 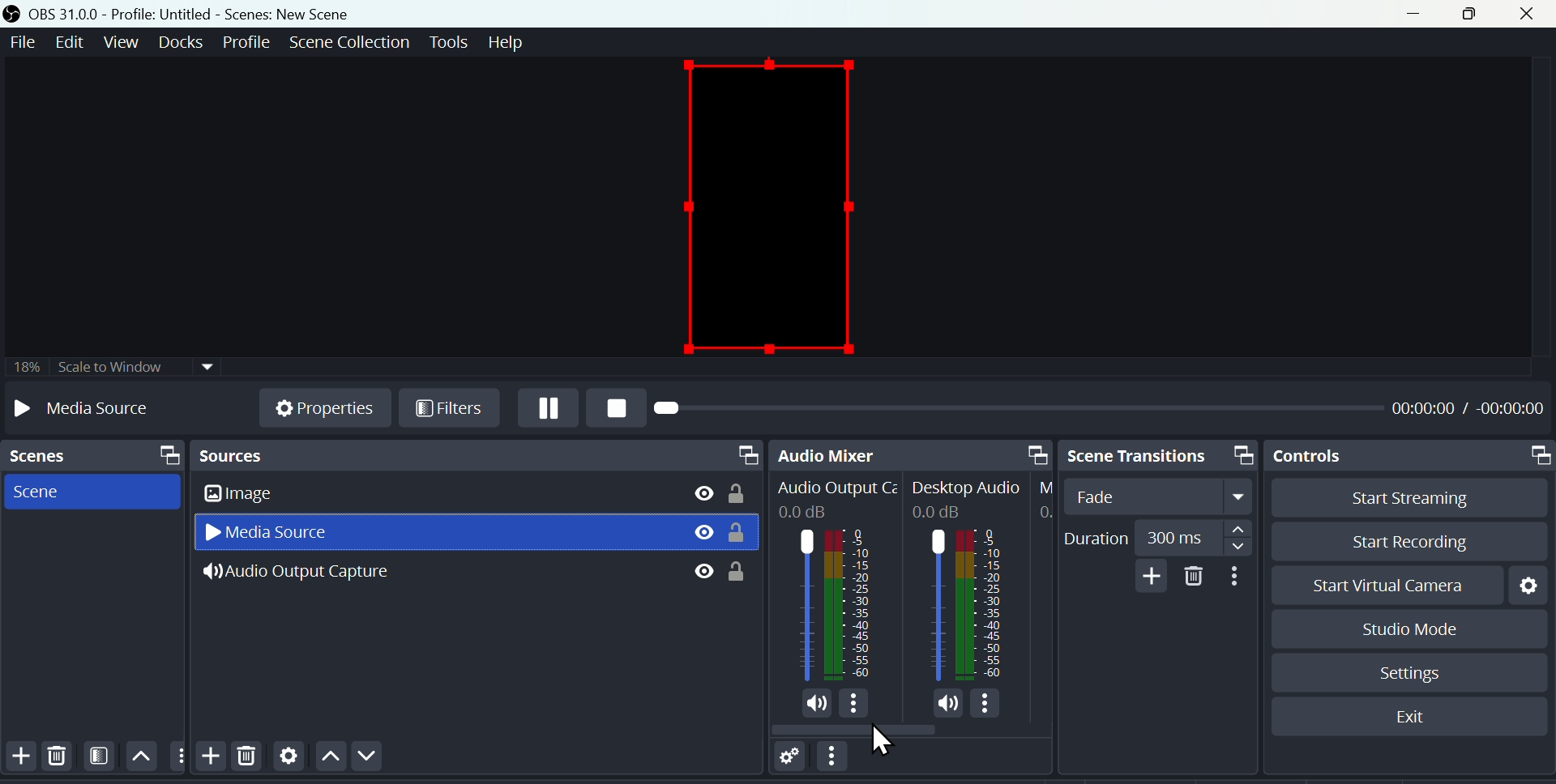 I want to click on Scenes, so click(x=91, y=456).